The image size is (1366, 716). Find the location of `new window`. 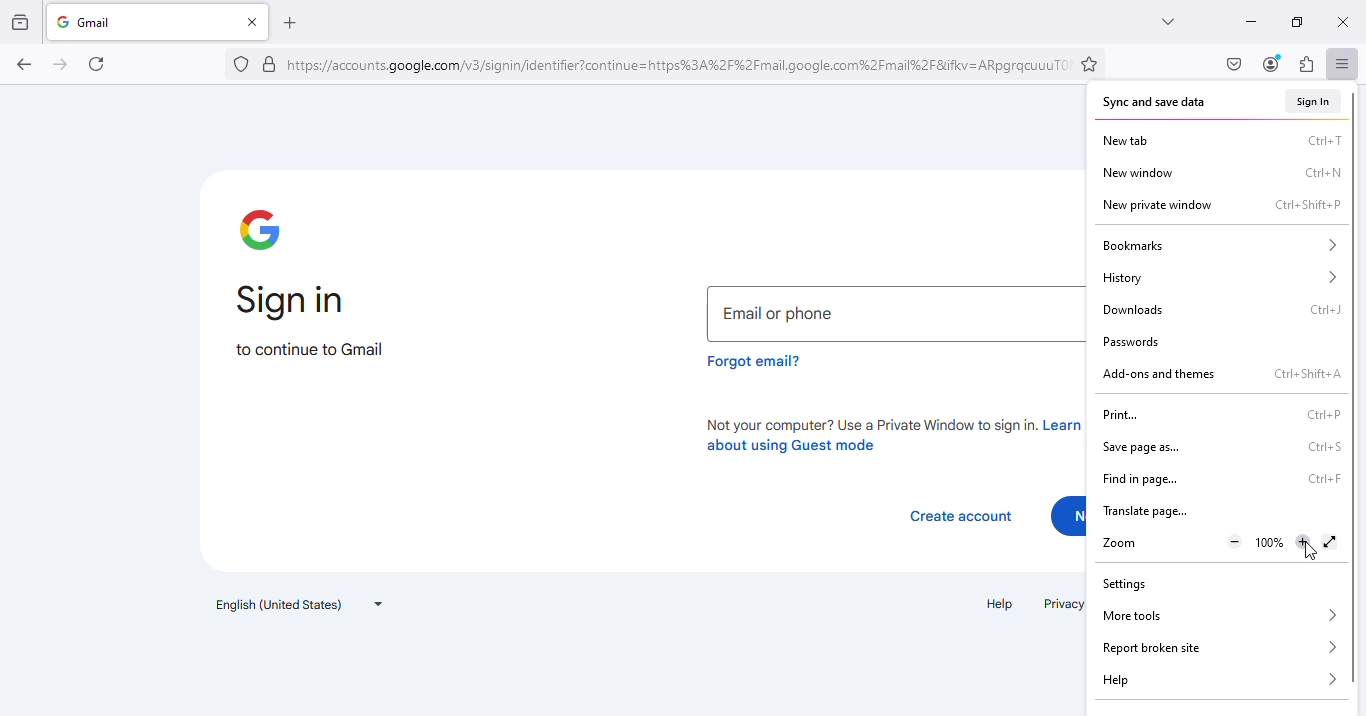

new window is located at coordinates (1140, 172).